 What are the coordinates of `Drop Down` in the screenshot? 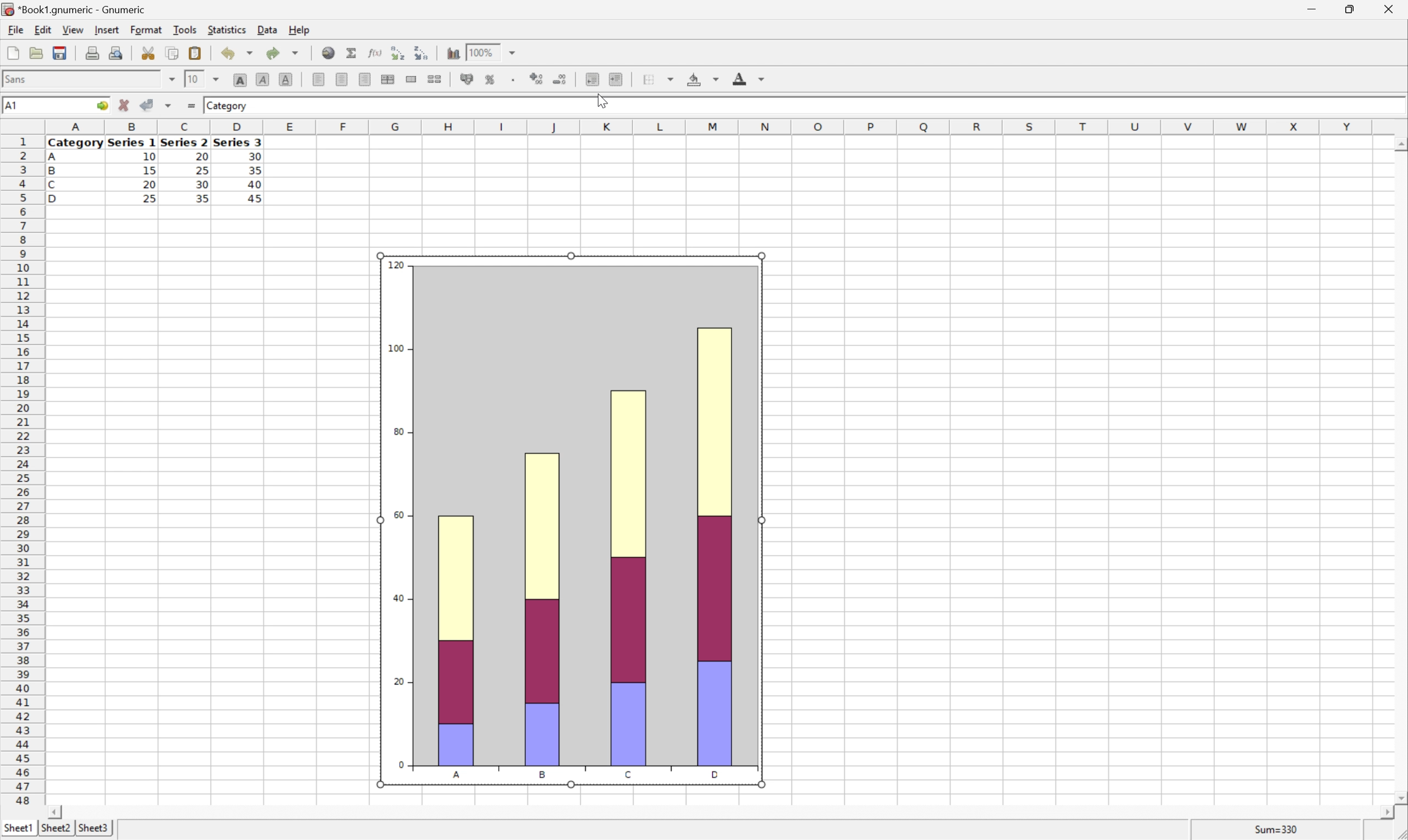 It's located at (216, 80).